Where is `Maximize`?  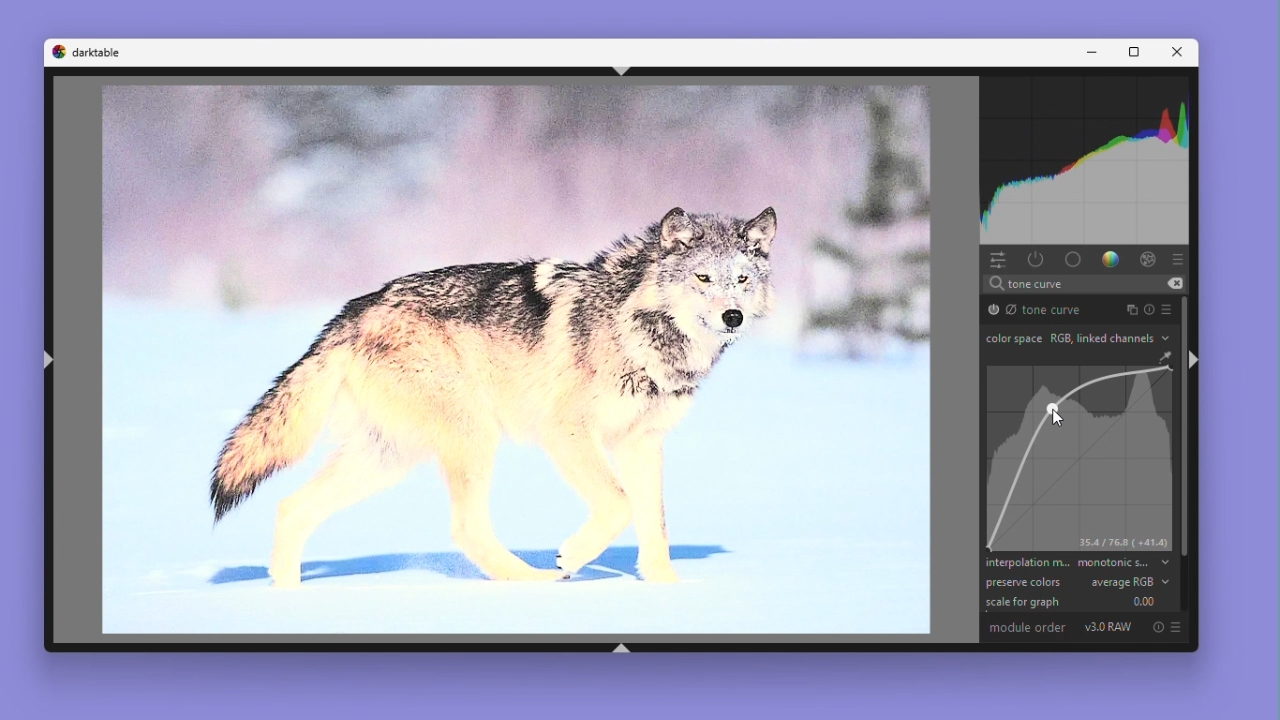
Maximize is located at coordinates (1135, 52).